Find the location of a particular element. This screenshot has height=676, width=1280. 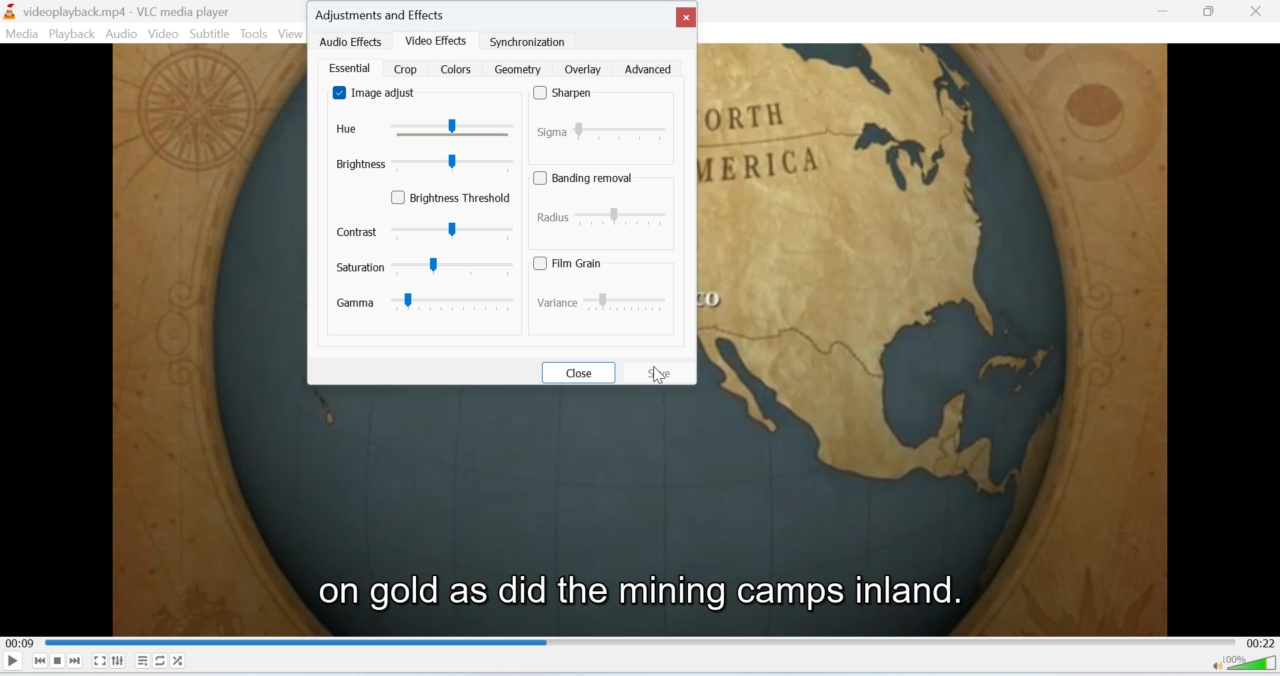

brightness threshold is located at coordinates (455, 197).